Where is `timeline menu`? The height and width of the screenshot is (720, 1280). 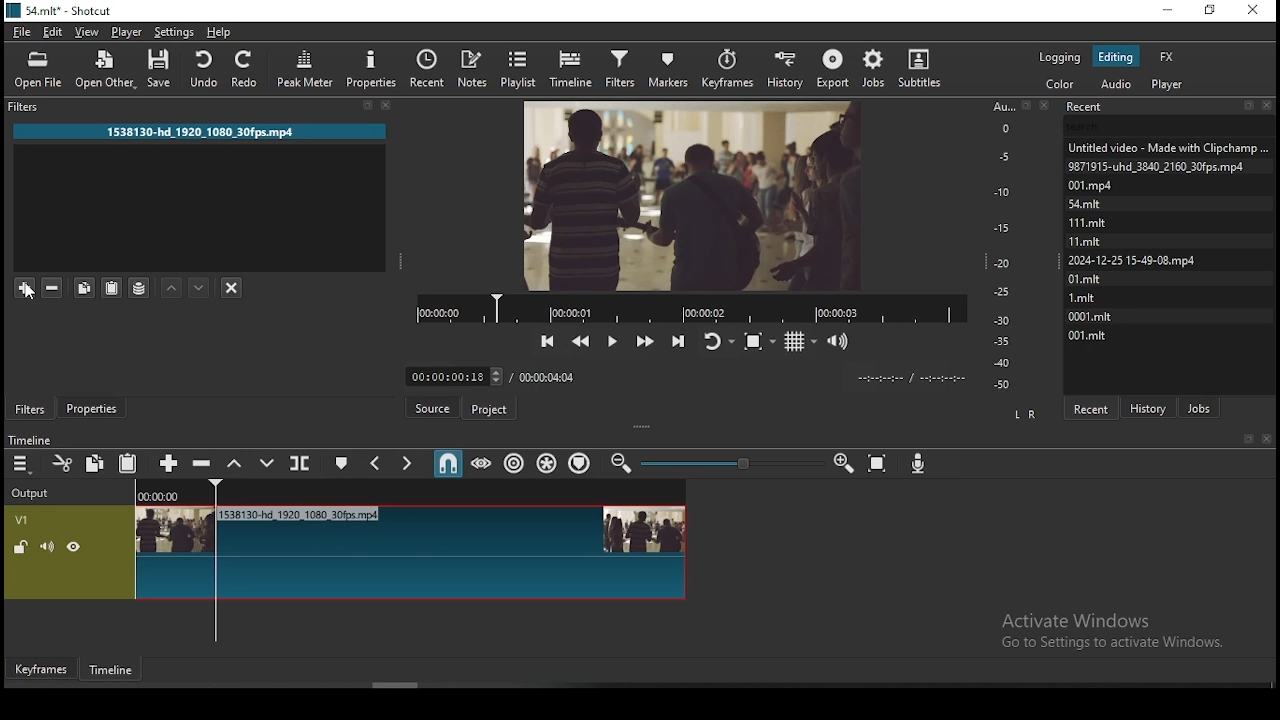 timeline menu is located at coordinates (23, 464).